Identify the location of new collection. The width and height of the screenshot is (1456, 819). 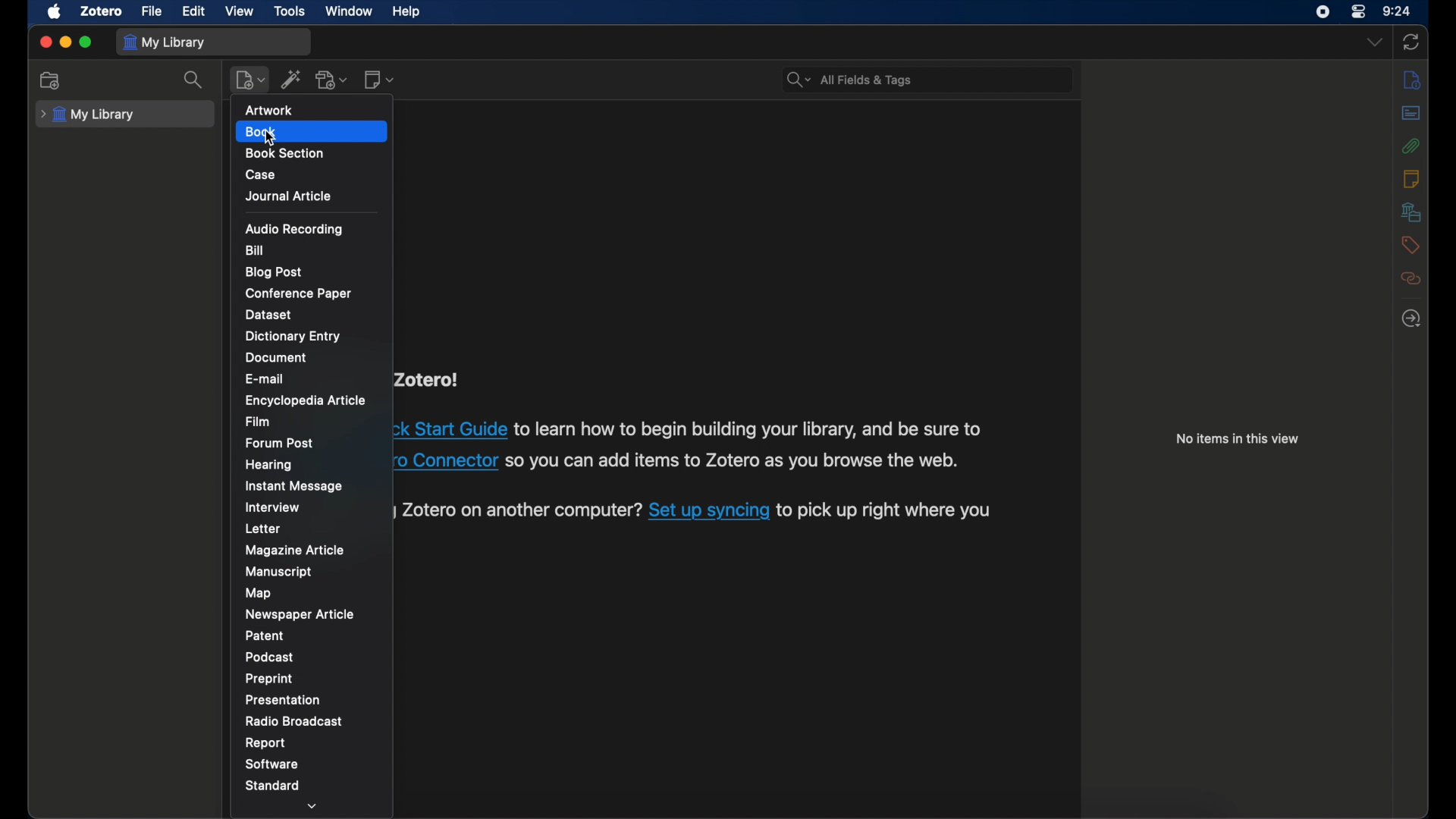
(50, 80).